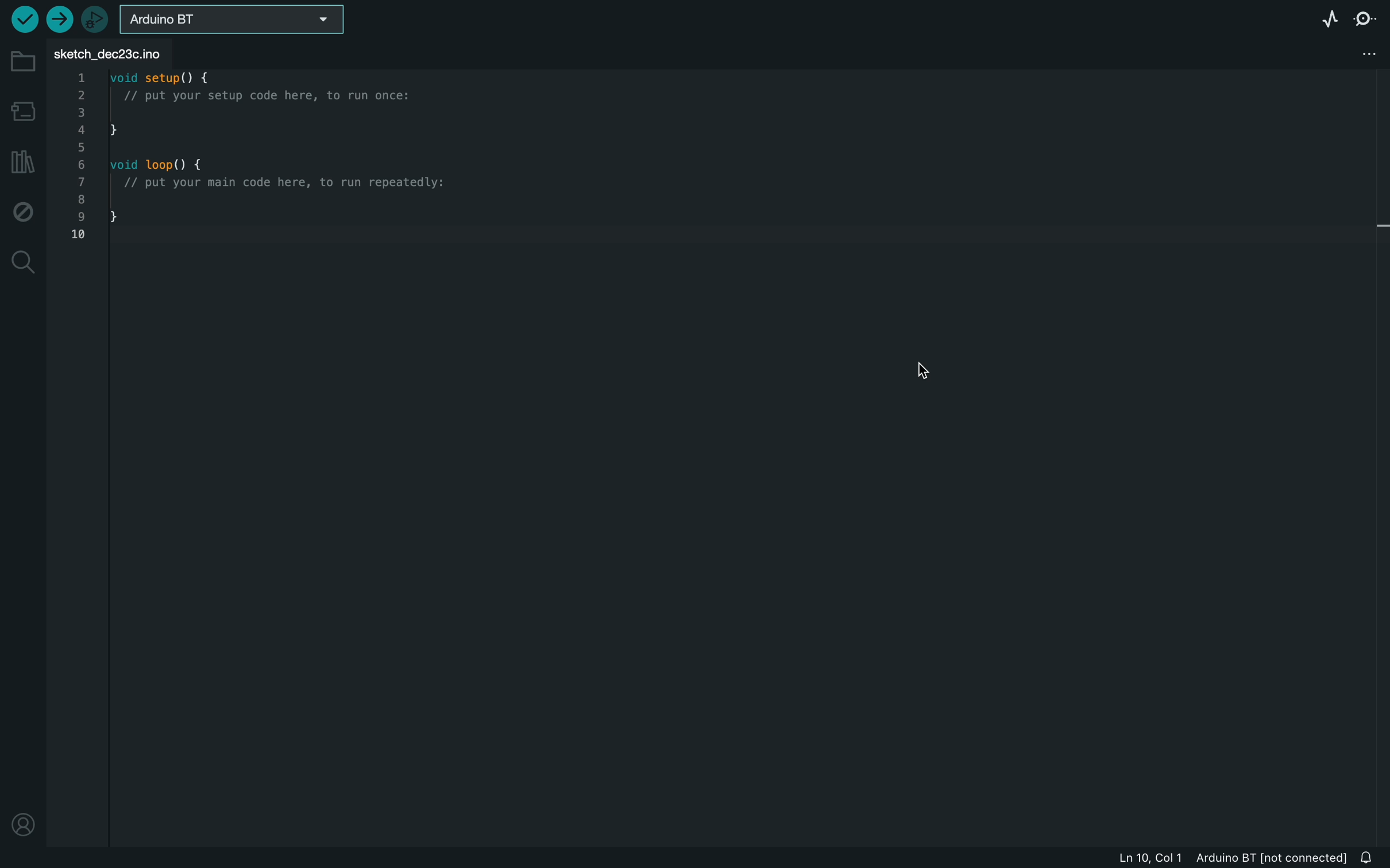  What do you see at coordinates (924, 371) in the screenshot?
I see `cursor` at bounding box center [924, 371].